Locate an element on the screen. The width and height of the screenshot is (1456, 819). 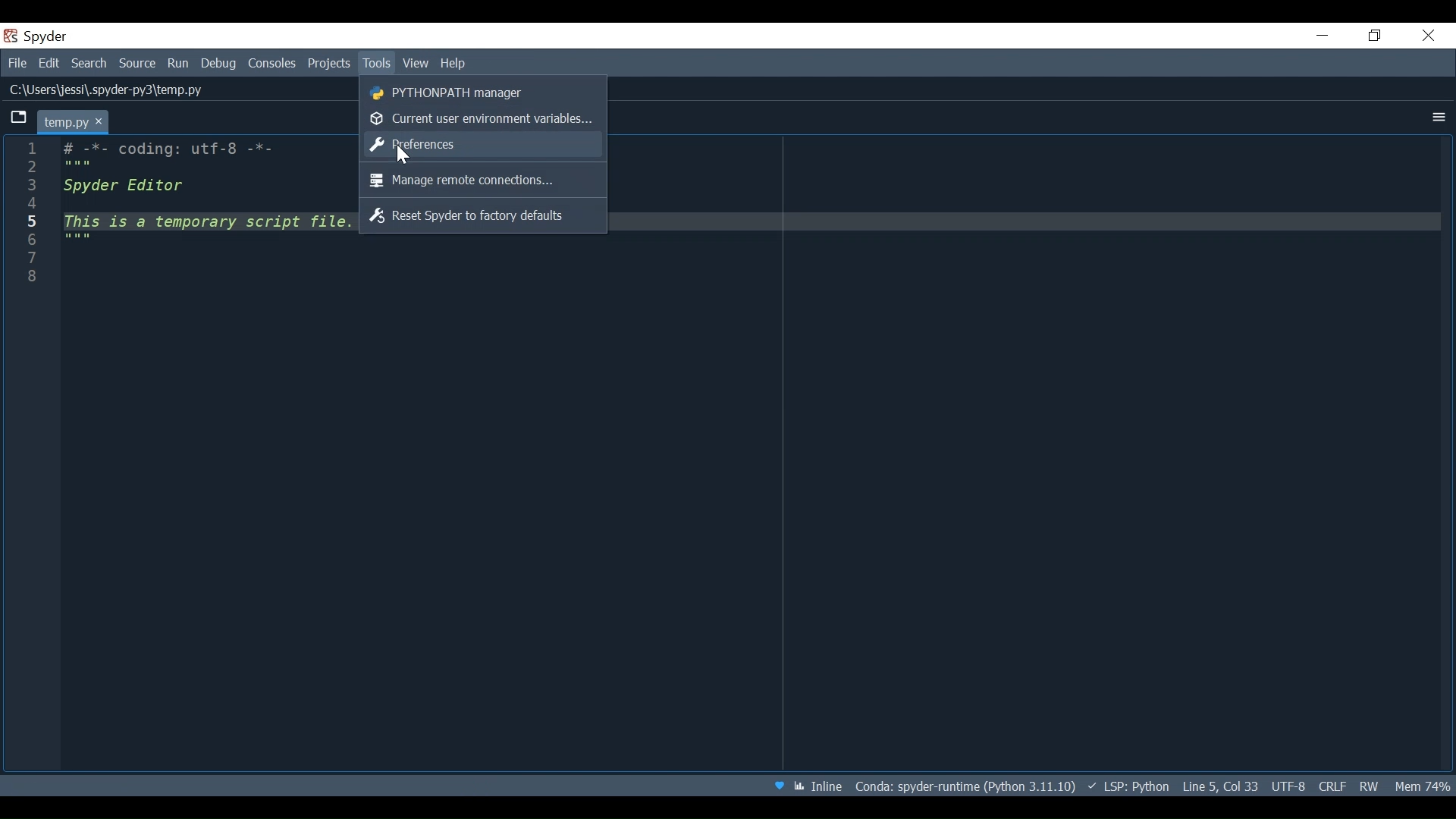
Help is located at coordinates (454, 64).